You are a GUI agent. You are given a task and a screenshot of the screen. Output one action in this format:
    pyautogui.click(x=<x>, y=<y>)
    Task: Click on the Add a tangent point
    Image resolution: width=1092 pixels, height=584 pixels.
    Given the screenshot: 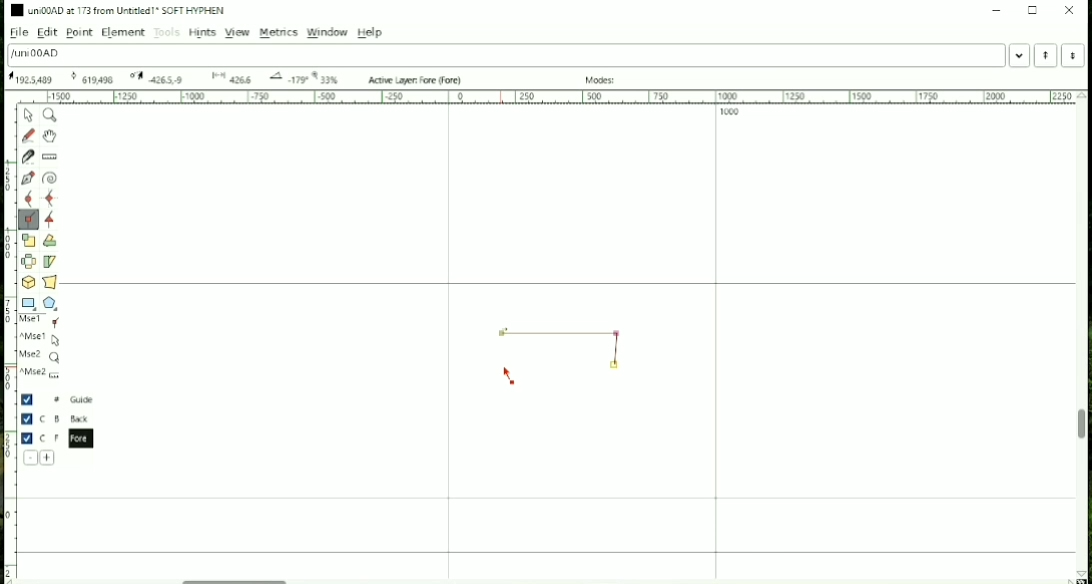 What is the action you would take?
    pyautogui.click(x=50, y=221)
    